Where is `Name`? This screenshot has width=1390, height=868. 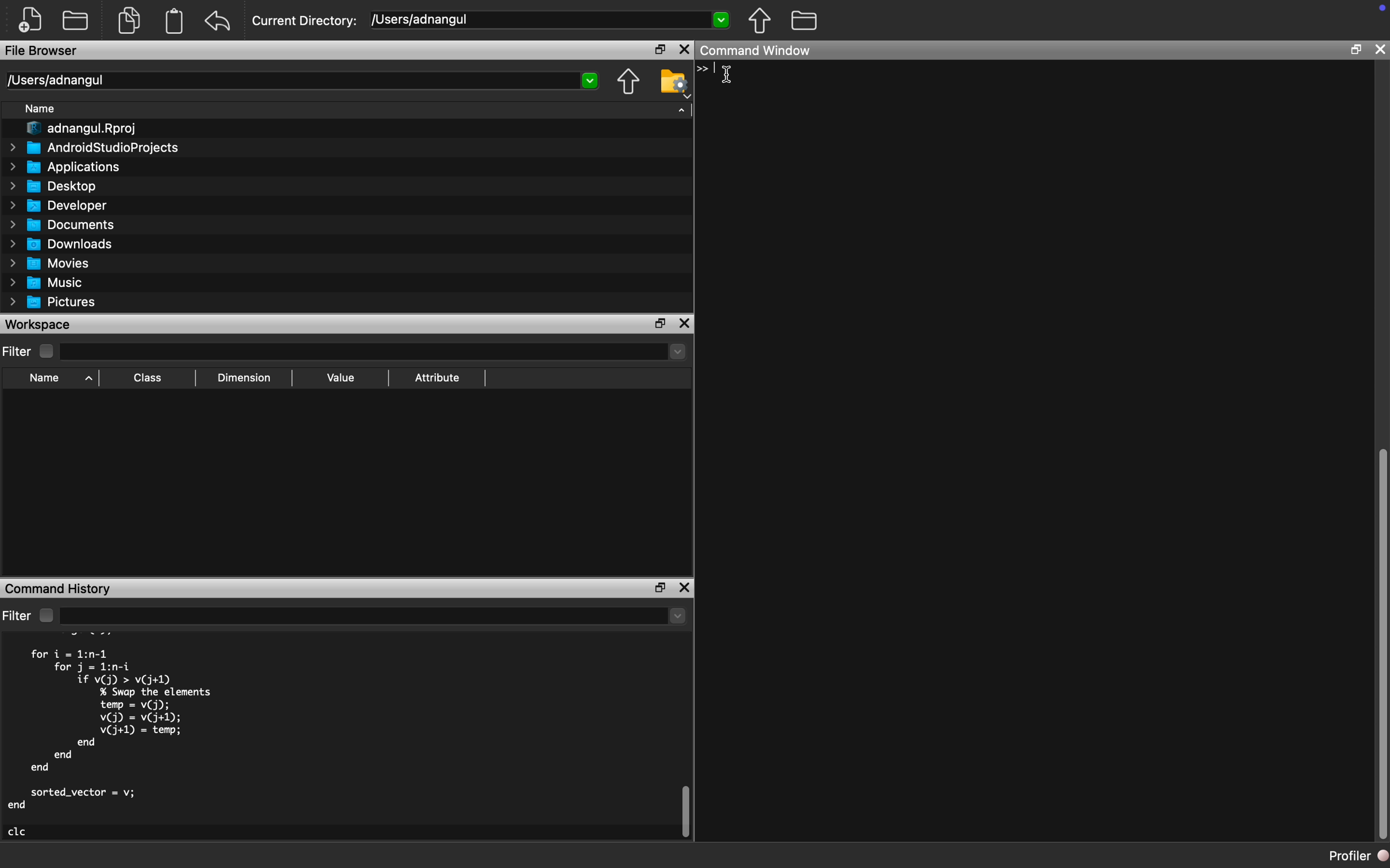
Name is located at coordinates (45, 378).